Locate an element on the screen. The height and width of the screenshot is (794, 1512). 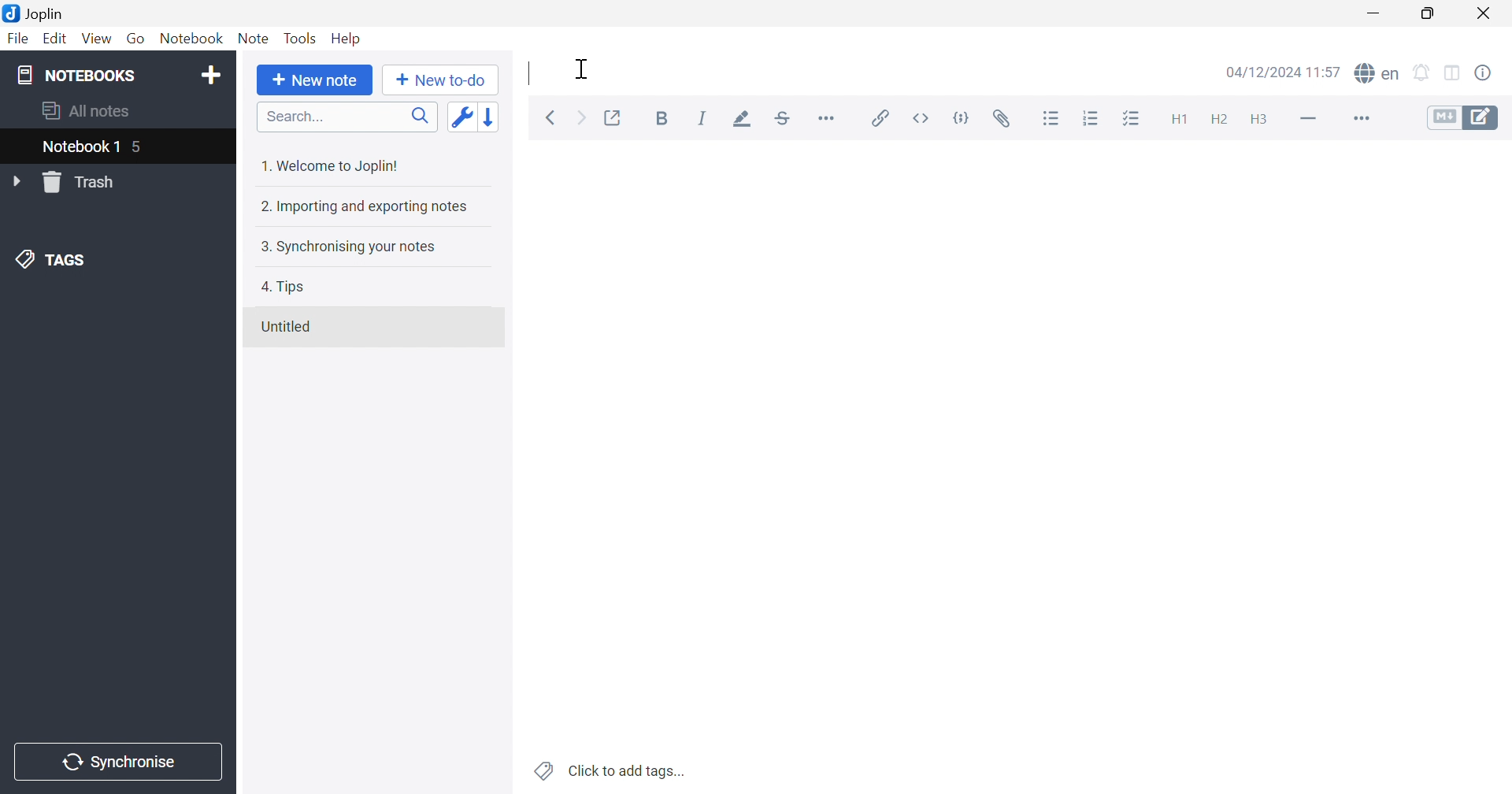
Synchronise is located at coordinates (117, 762).